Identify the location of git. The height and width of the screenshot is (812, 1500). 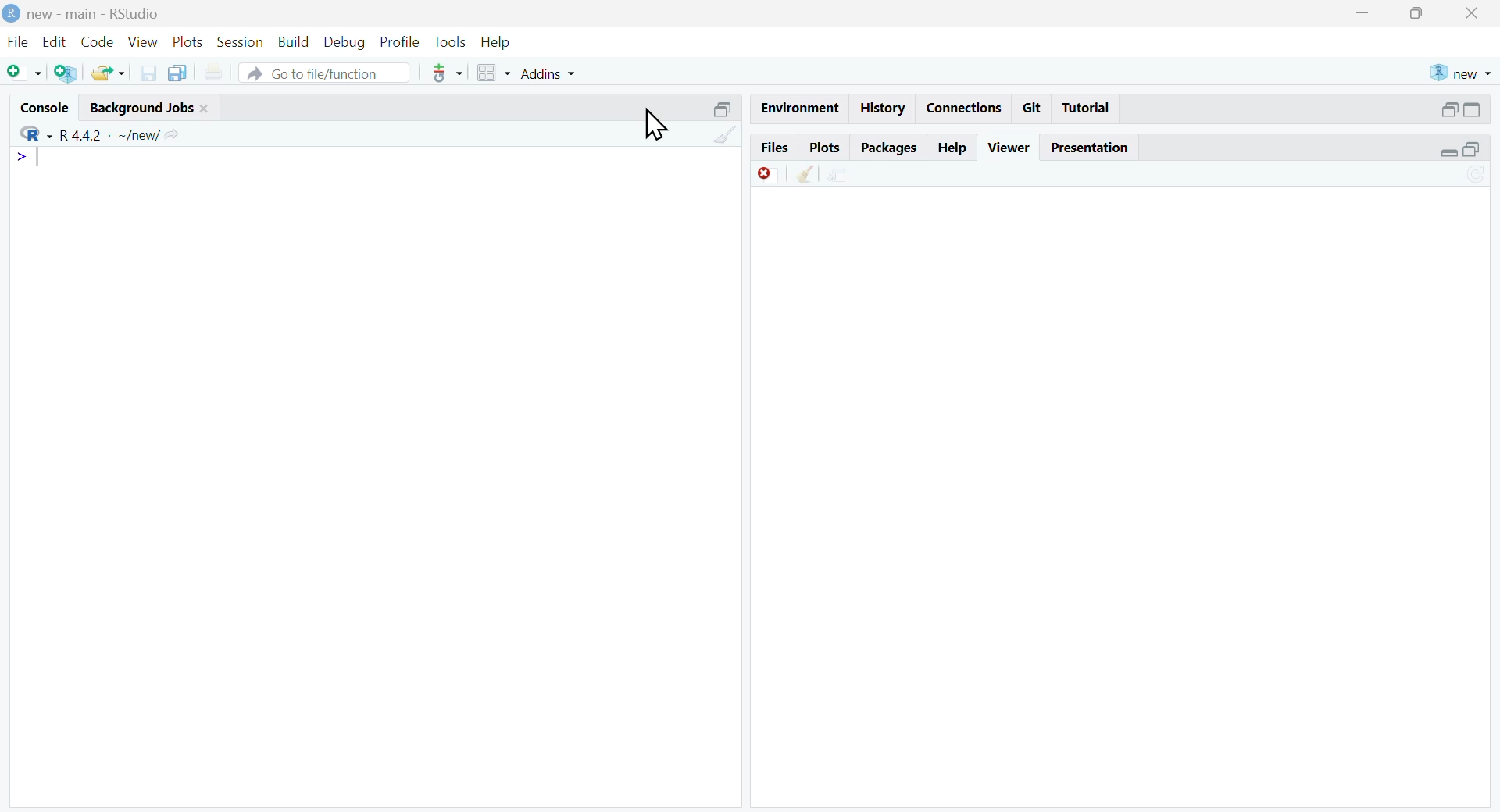
(1033, 108).